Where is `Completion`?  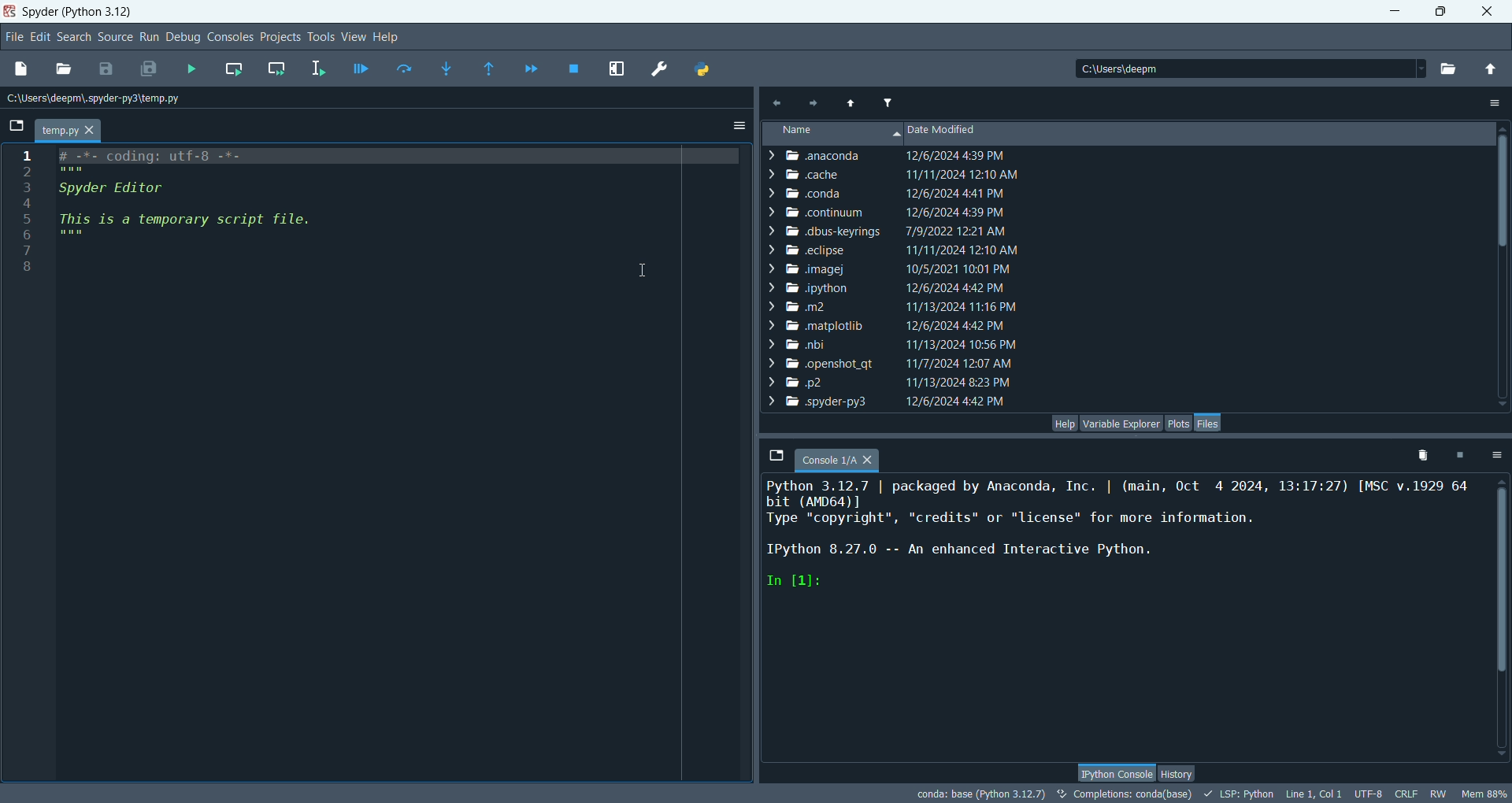 Completion is located at coordinates (1124, 794).